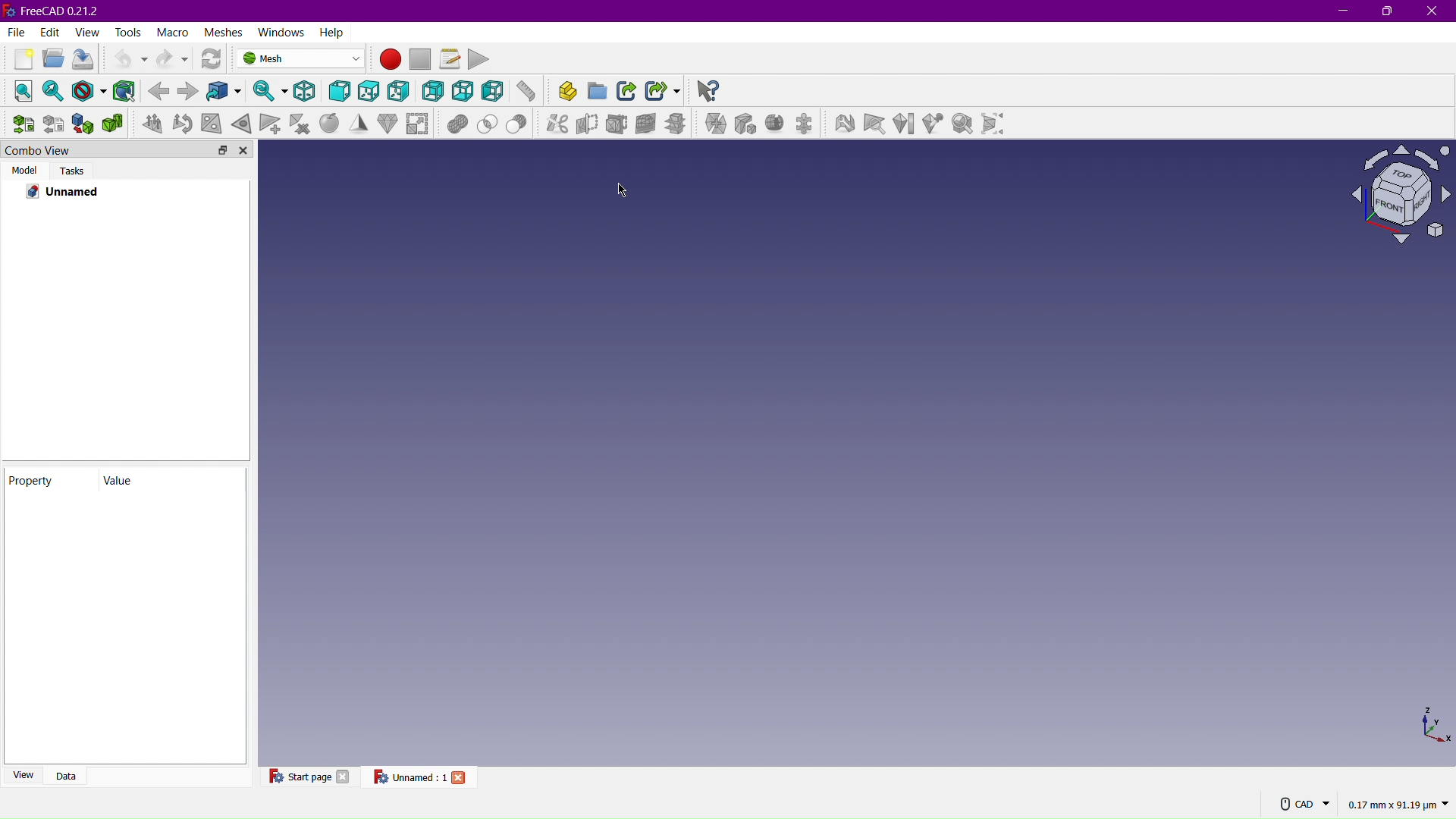 The height and width of the screenshot is (819, 1456). I want to click on Flip normal, so click(184, 124).